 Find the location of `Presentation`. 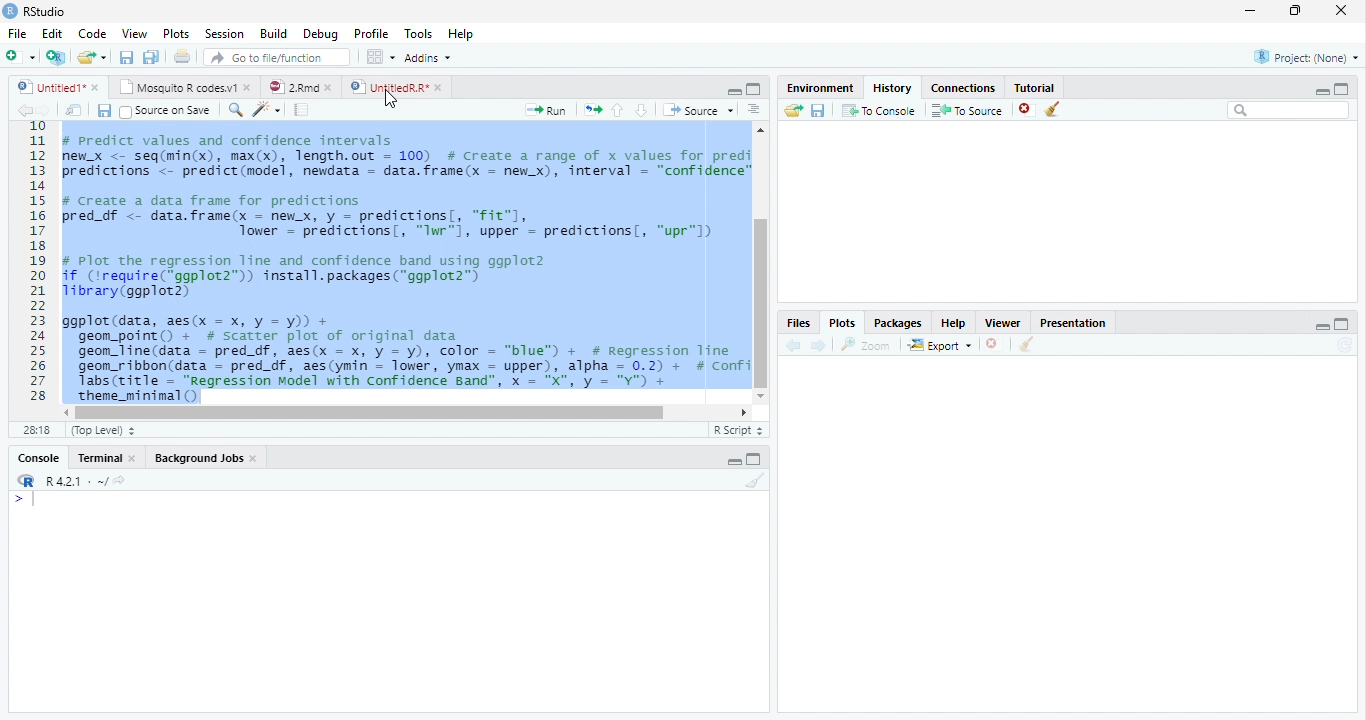

Presentation is located at coordinates (1072, 323).